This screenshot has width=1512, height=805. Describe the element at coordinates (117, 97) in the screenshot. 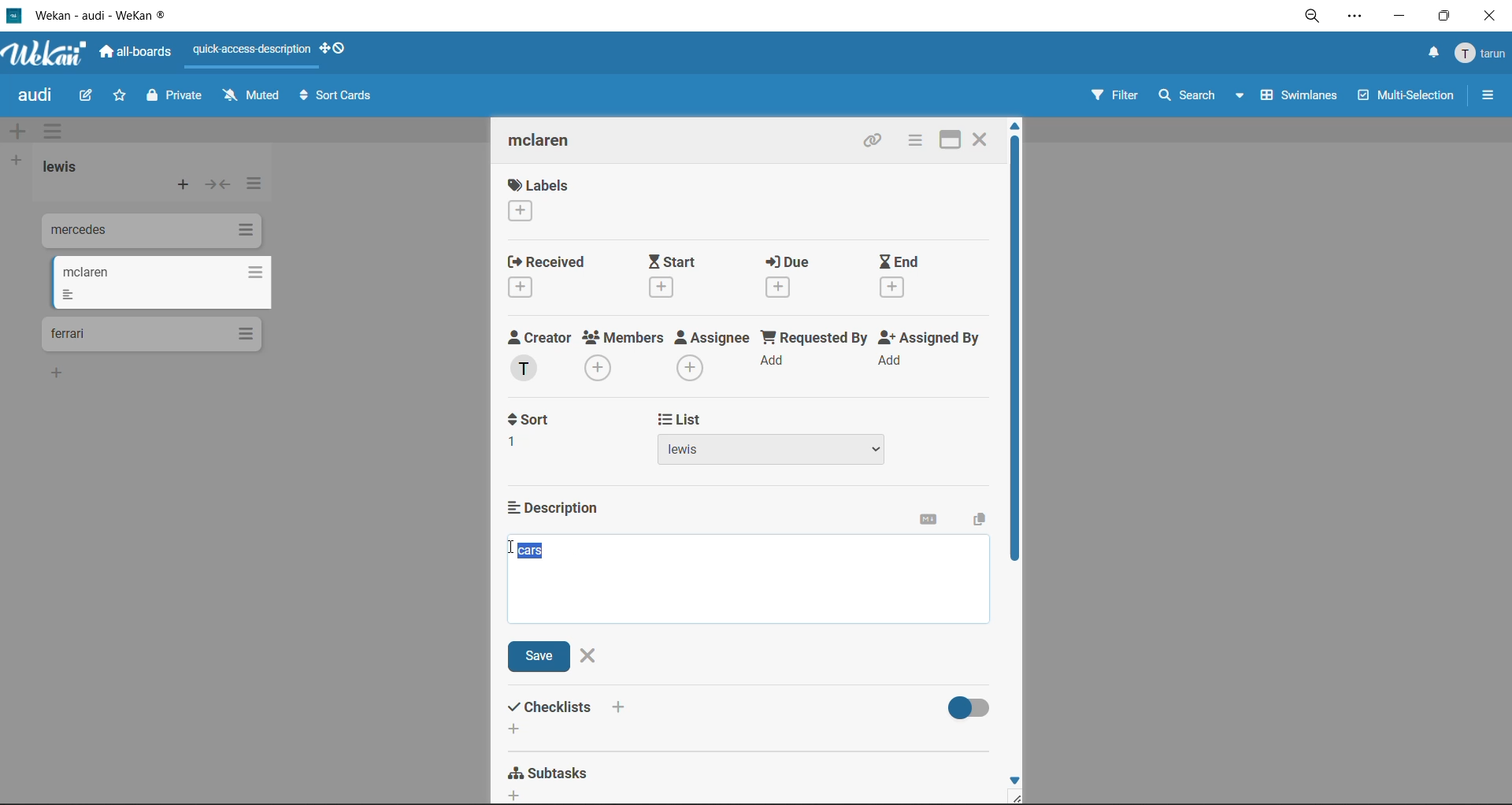

I see `star` at that location.